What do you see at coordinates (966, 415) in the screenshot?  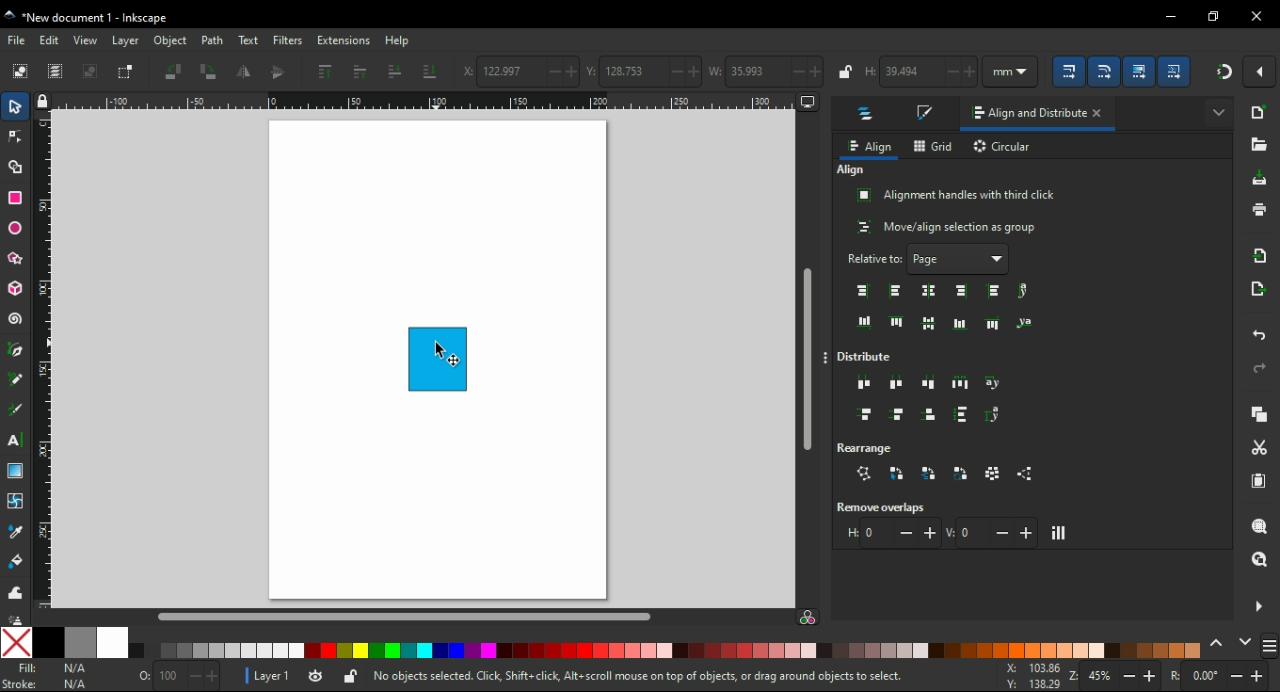 I see `distribute vertically with even vertical gaps` at bounding box center [966, 415].